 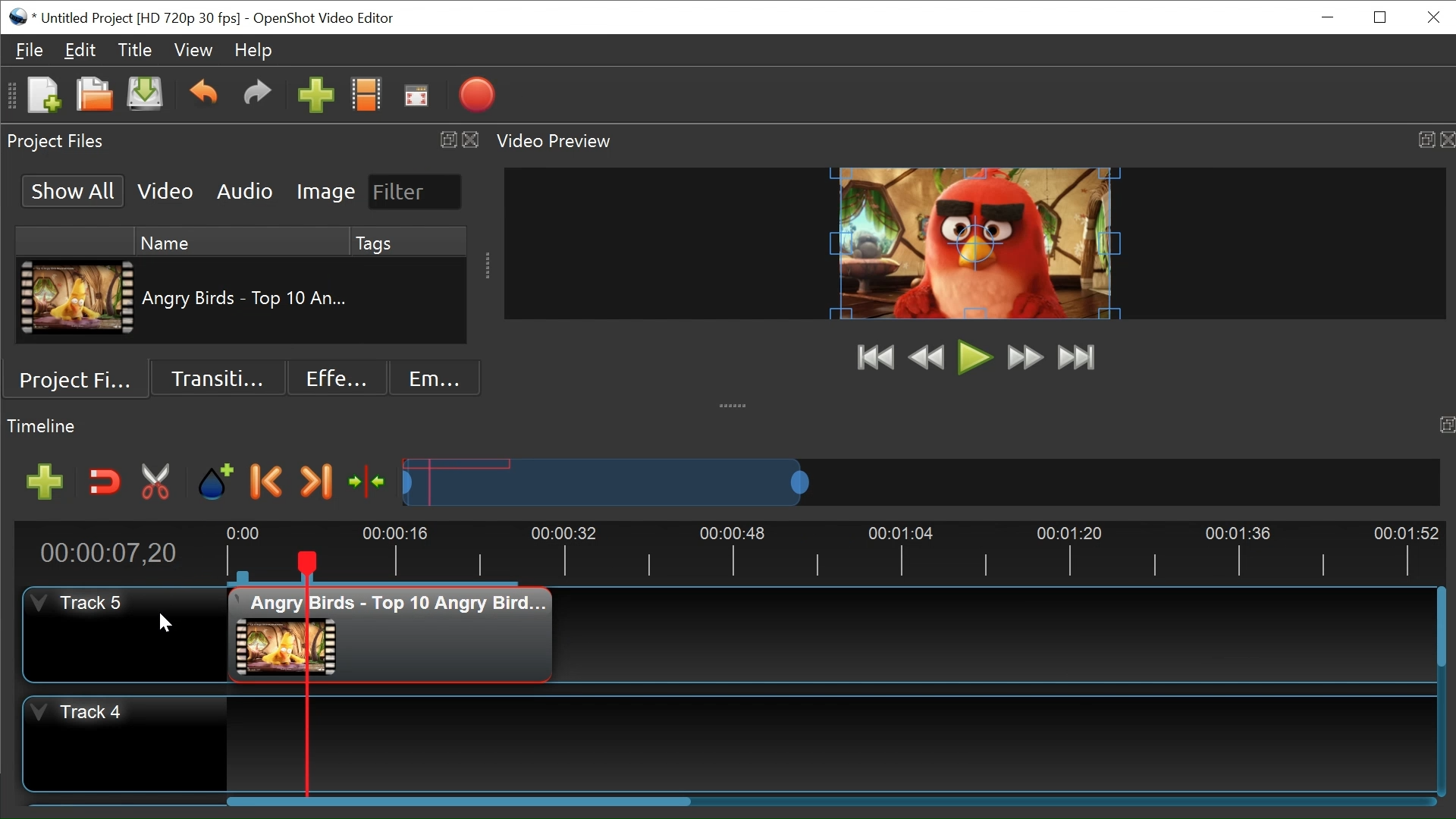 What do you see at coordinates (246, 190) in the screenshot?
I see `Audio` at bounding box center [246, 190].